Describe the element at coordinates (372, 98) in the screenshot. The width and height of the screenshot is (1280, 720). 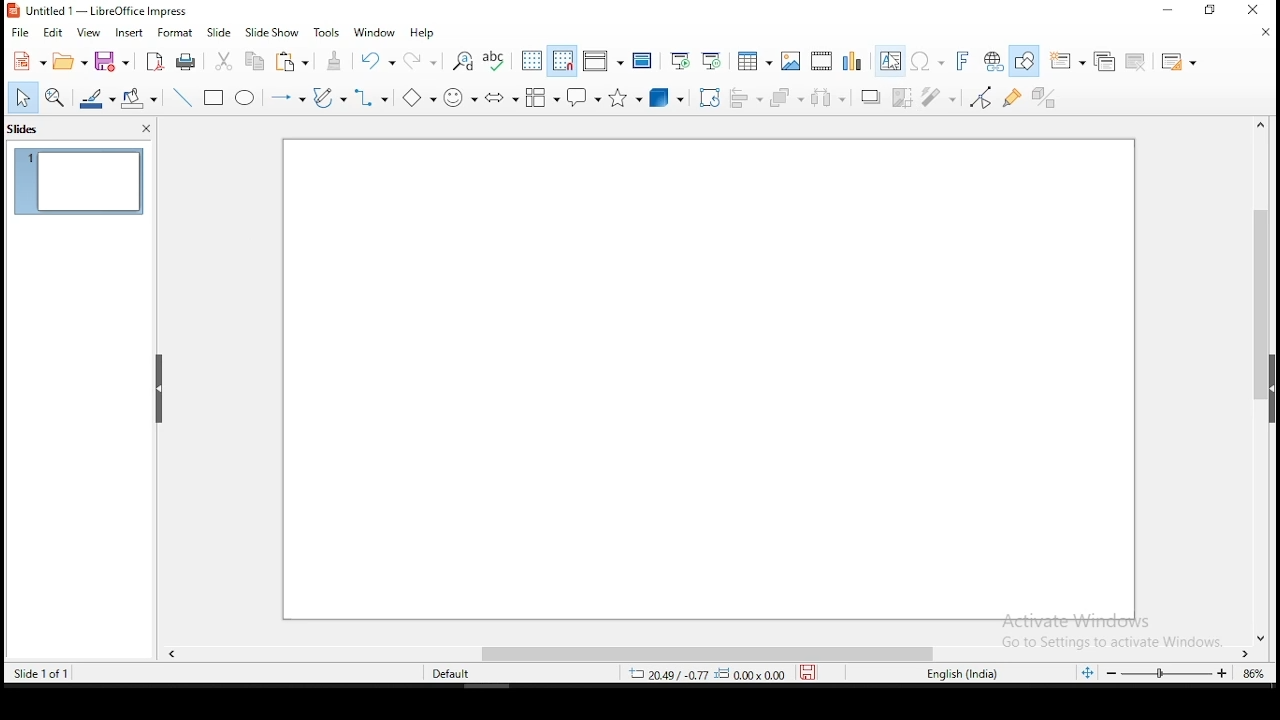
I see `connectors` at that location.